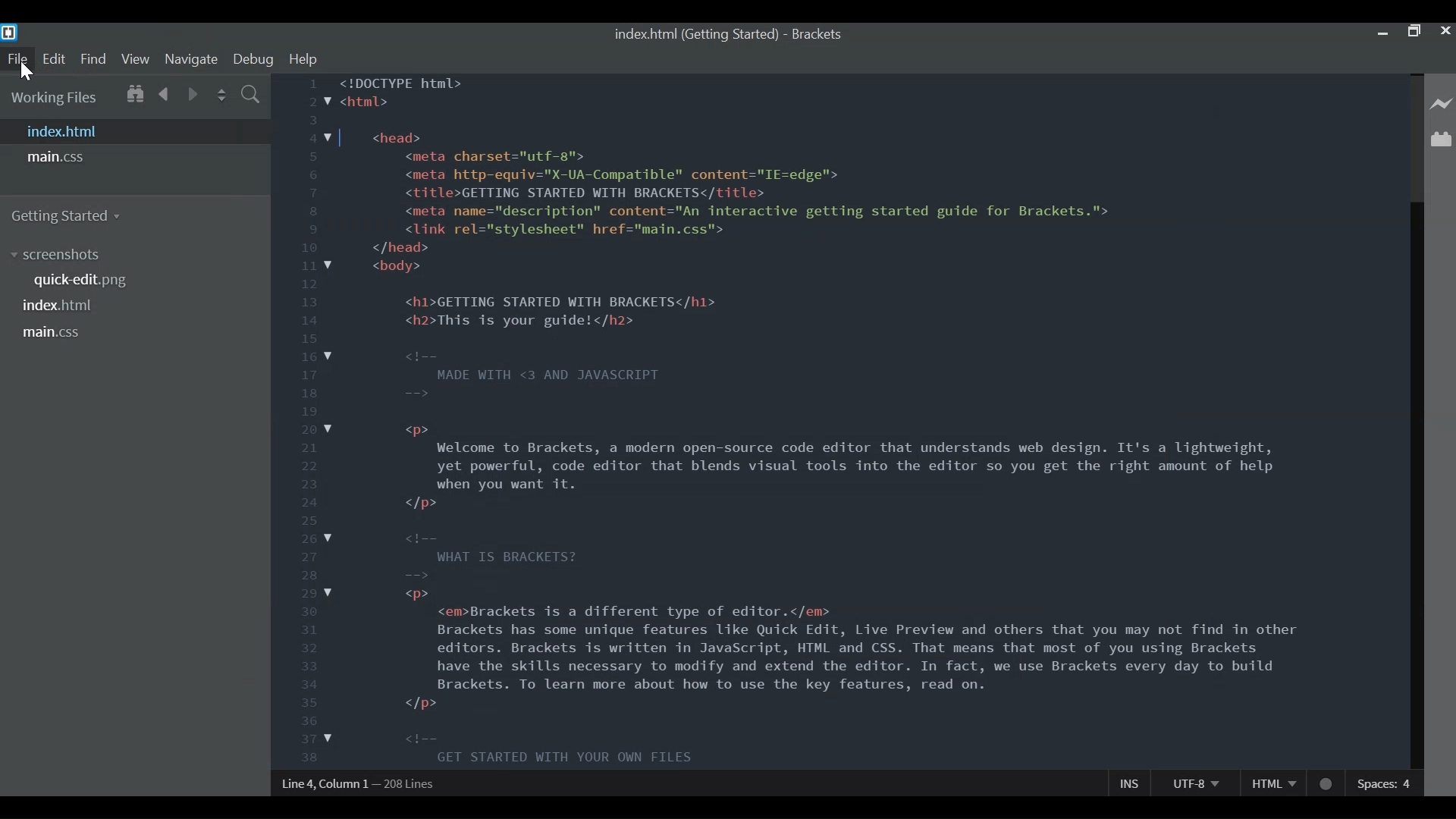 This screenshot has width=1456, height=819. Describe the element at coordinates (17, 59) in the screenshot. I see `File` at that location.